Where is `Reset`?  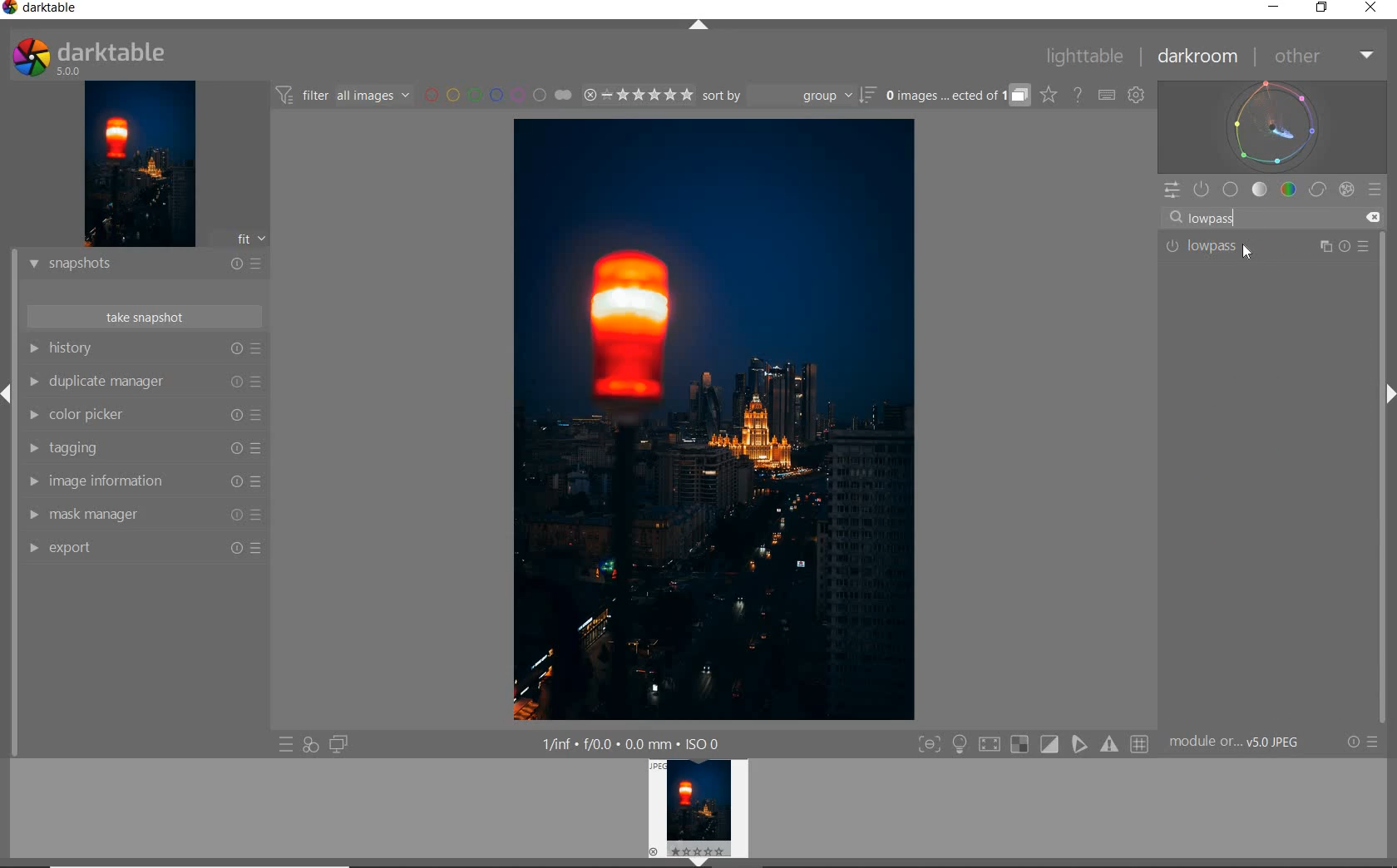
Reset is located at coordinates (234, 417).